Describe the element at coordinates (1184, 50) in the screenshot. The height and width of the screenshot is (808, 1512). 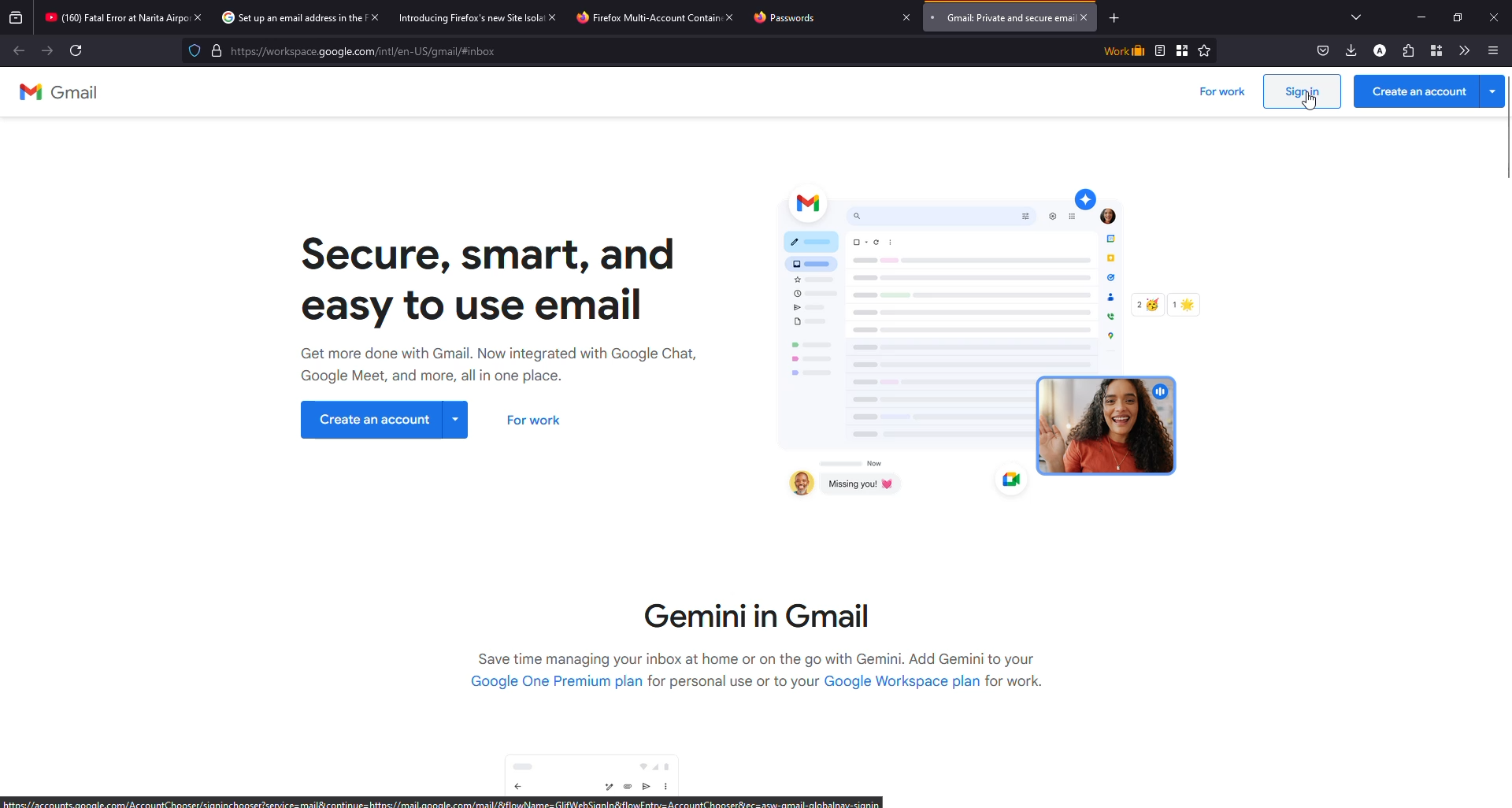
I see `bookmark` at that location.